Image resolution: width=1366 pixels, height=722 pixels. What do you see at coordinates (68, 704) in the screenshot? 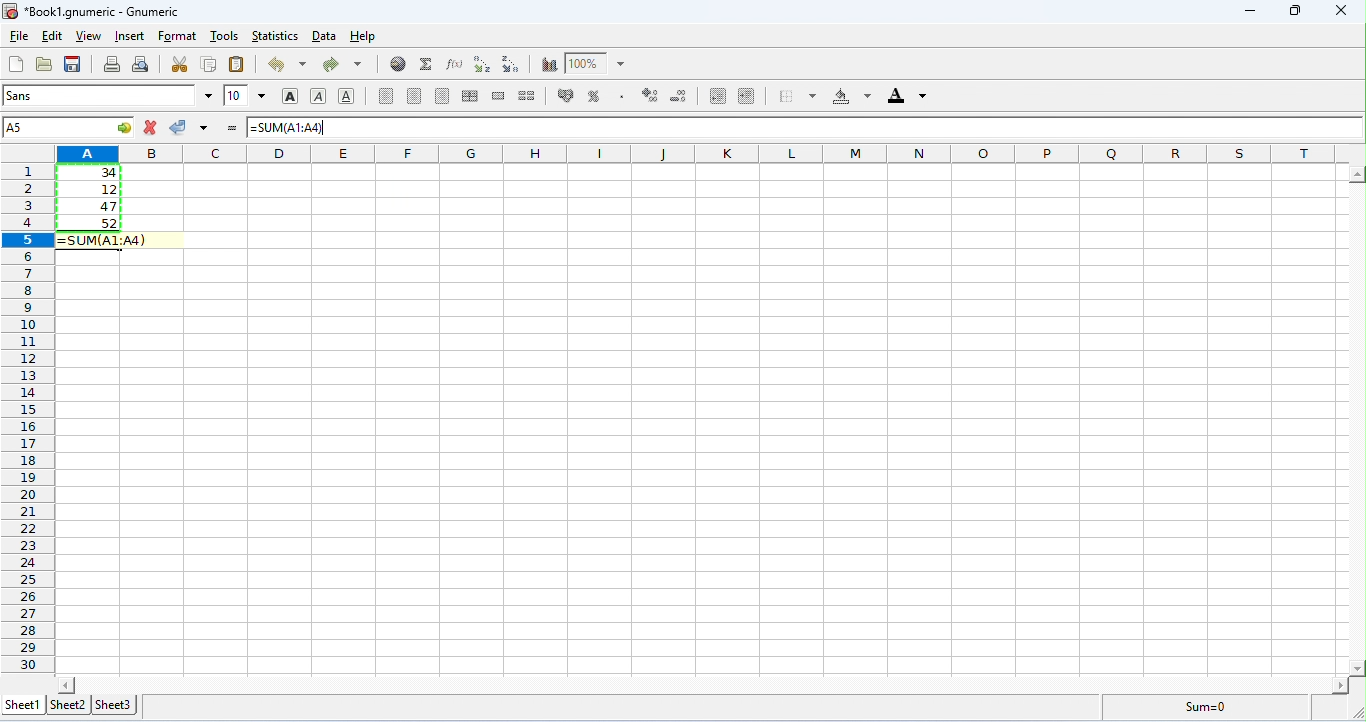
I see `sheet2` at bounding box center [68, 704].